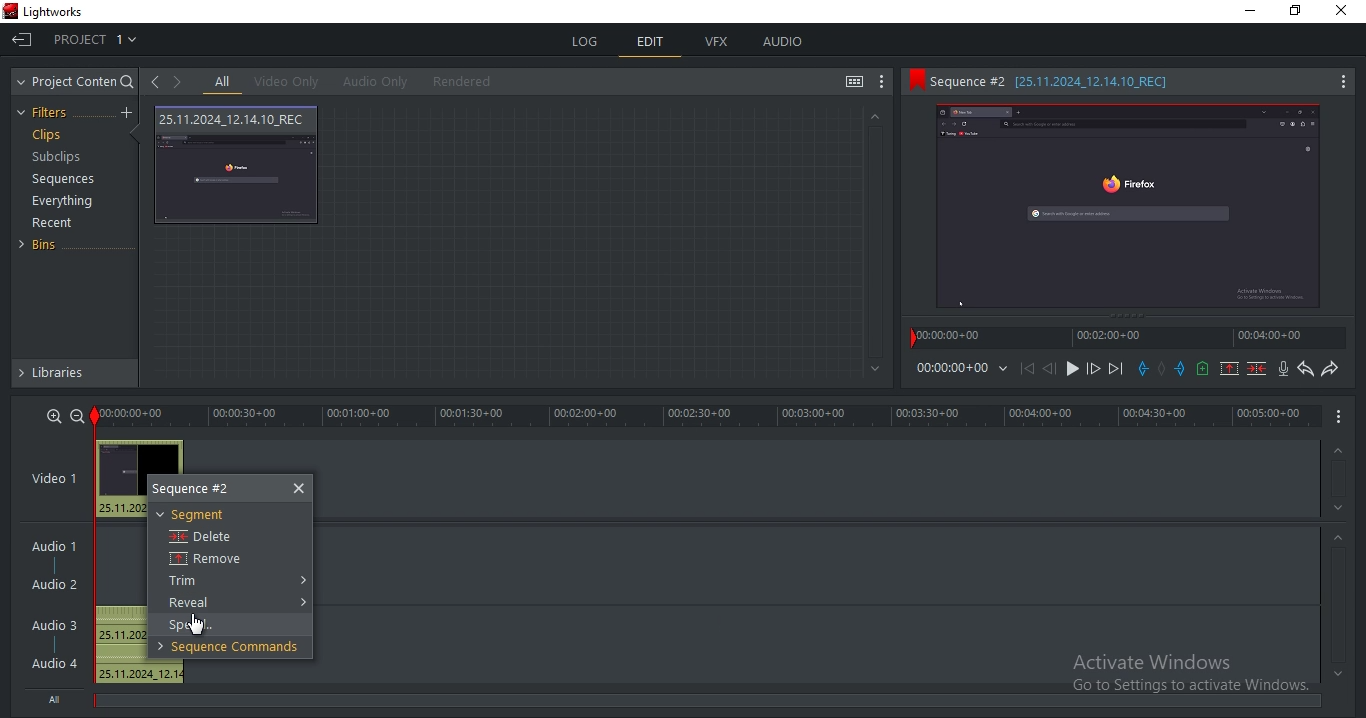  I want to click on project content, so click(75, 82).